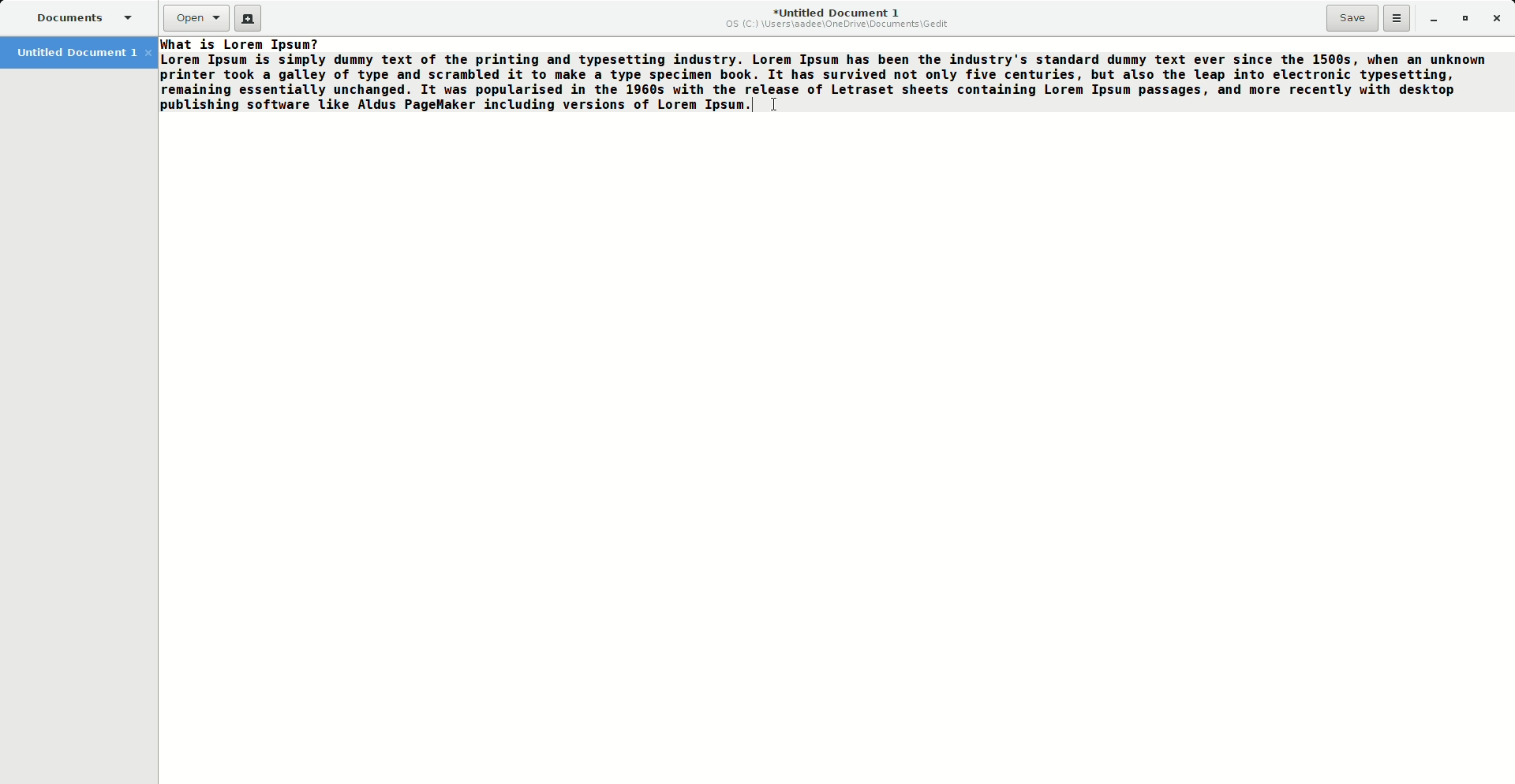 The width and height of the screenshot is (1515, 784). What do you see at coordinates (772, 106) in the screenshot?
I see `Cursor` at bounding box center [772, 106].